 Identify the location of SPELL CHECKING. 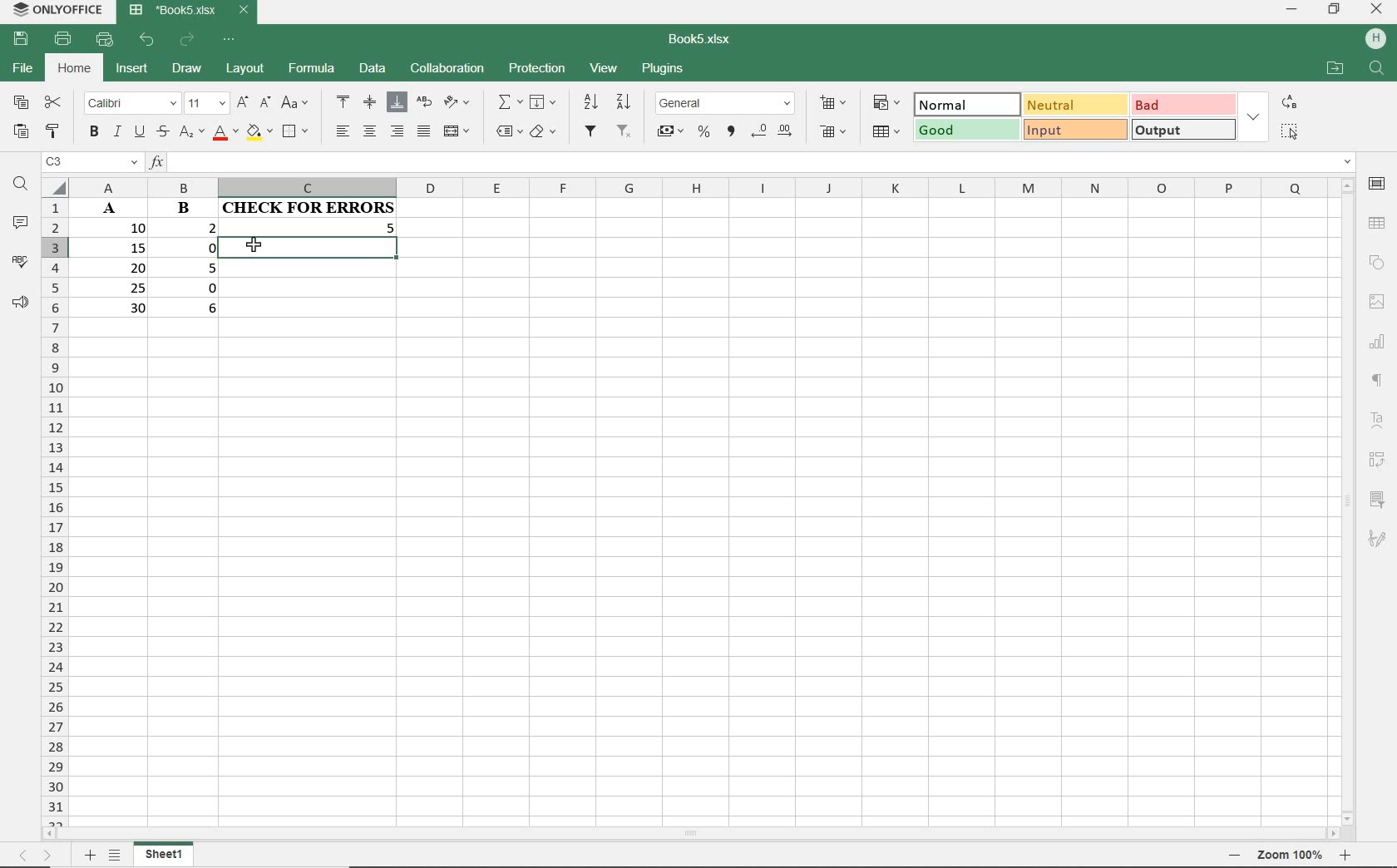
(19, 259).